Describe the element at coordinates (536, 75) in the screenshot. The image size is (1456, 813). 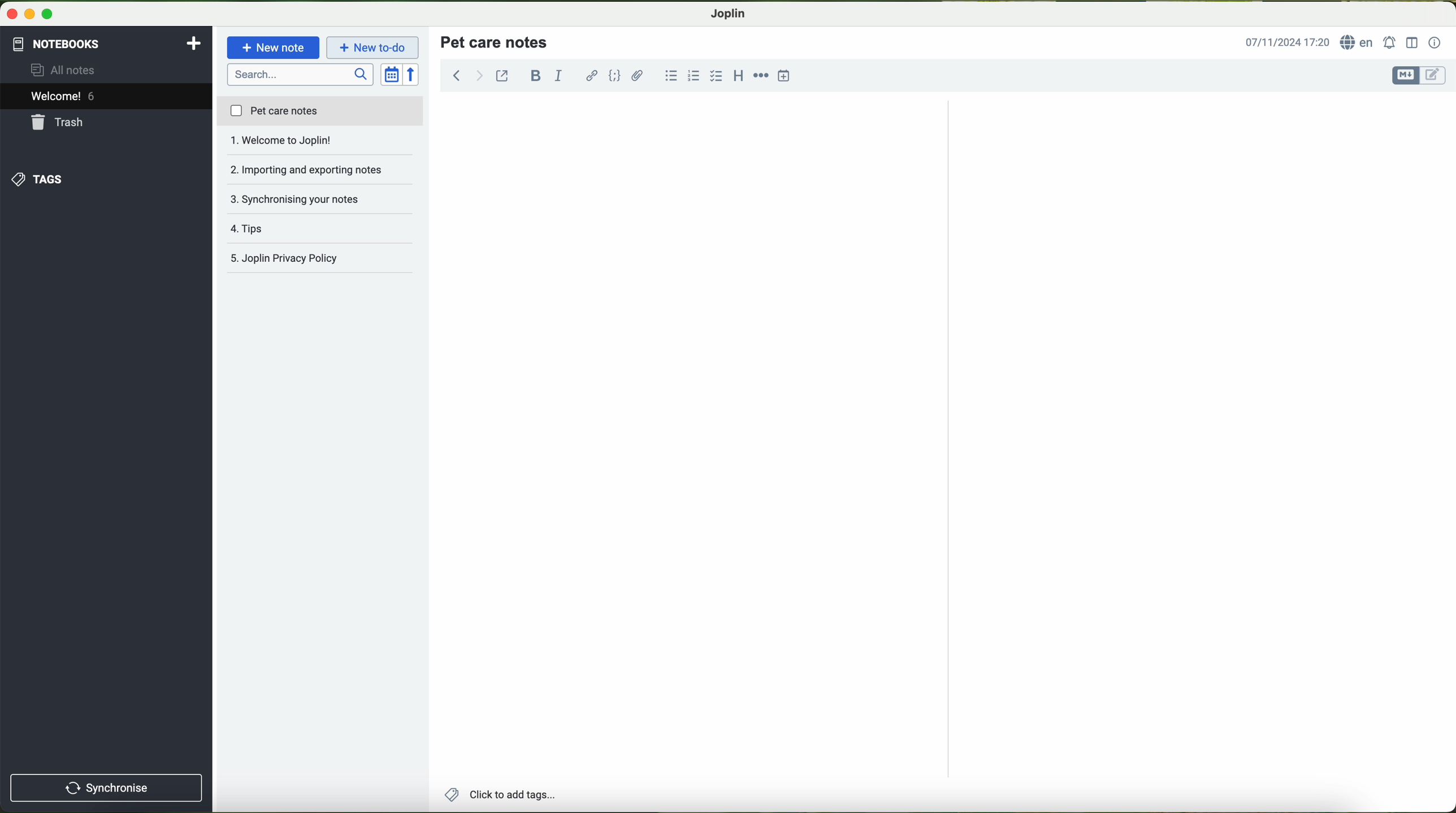
I see `bold` at that location.